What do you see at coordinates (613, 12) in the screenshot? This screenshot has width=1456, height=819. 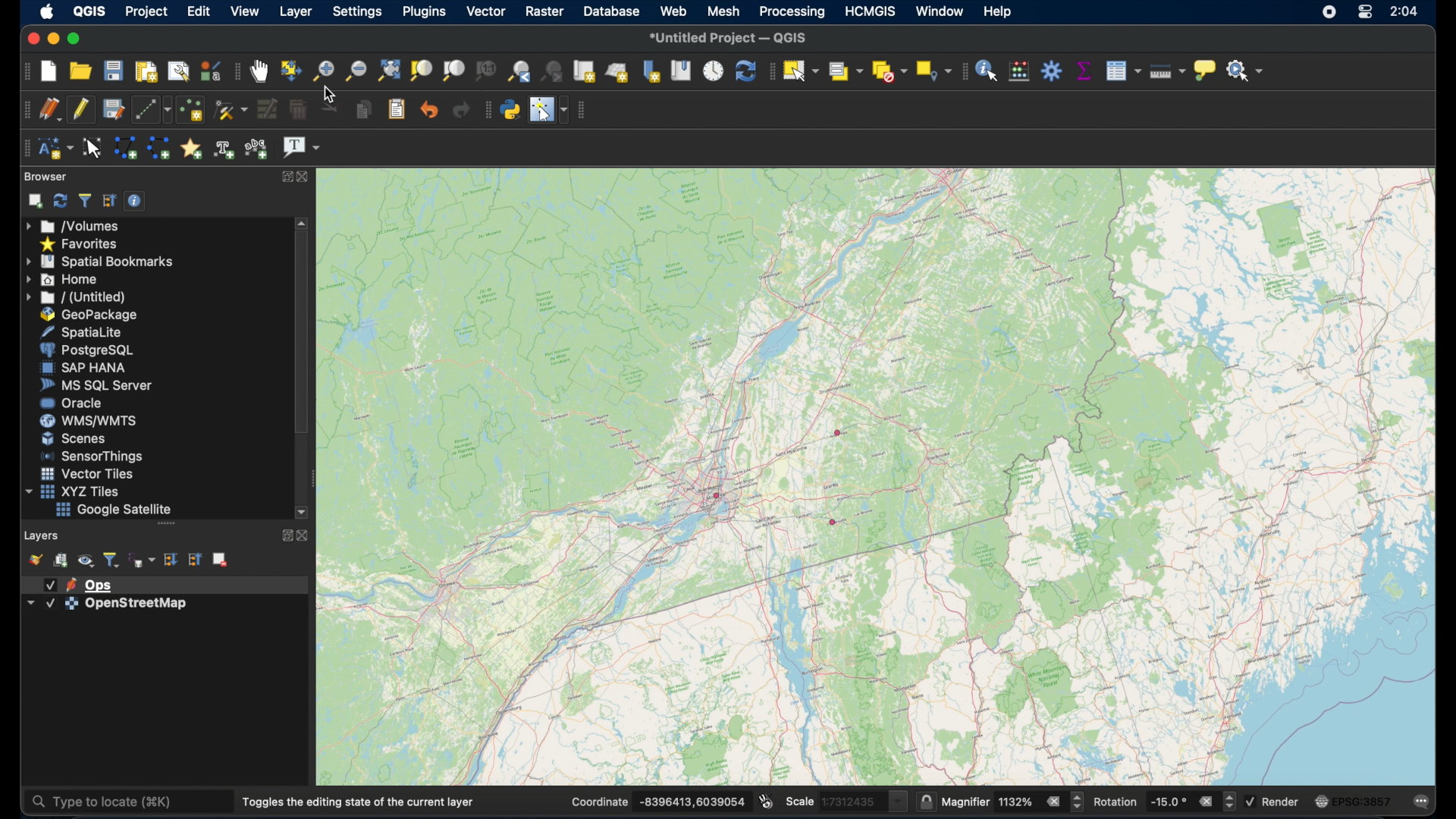 I see `database` at bounding box center [613, 12].